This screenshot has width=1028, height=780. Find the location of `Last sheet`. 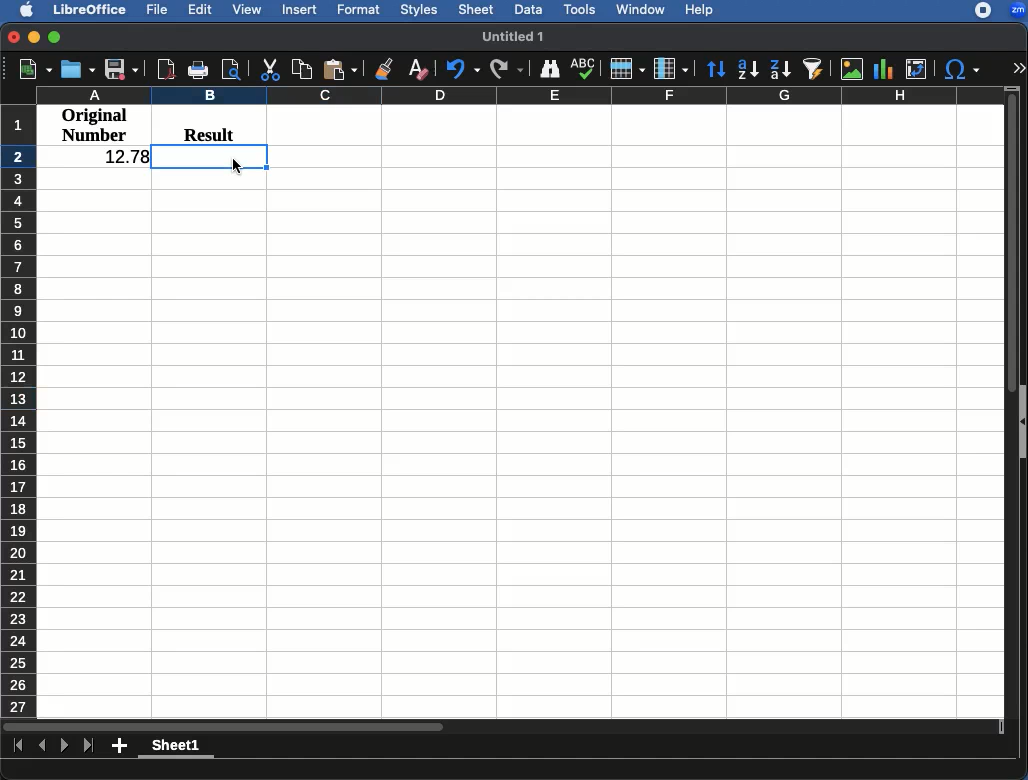

Last sheet is located at coordinates (90, 747).